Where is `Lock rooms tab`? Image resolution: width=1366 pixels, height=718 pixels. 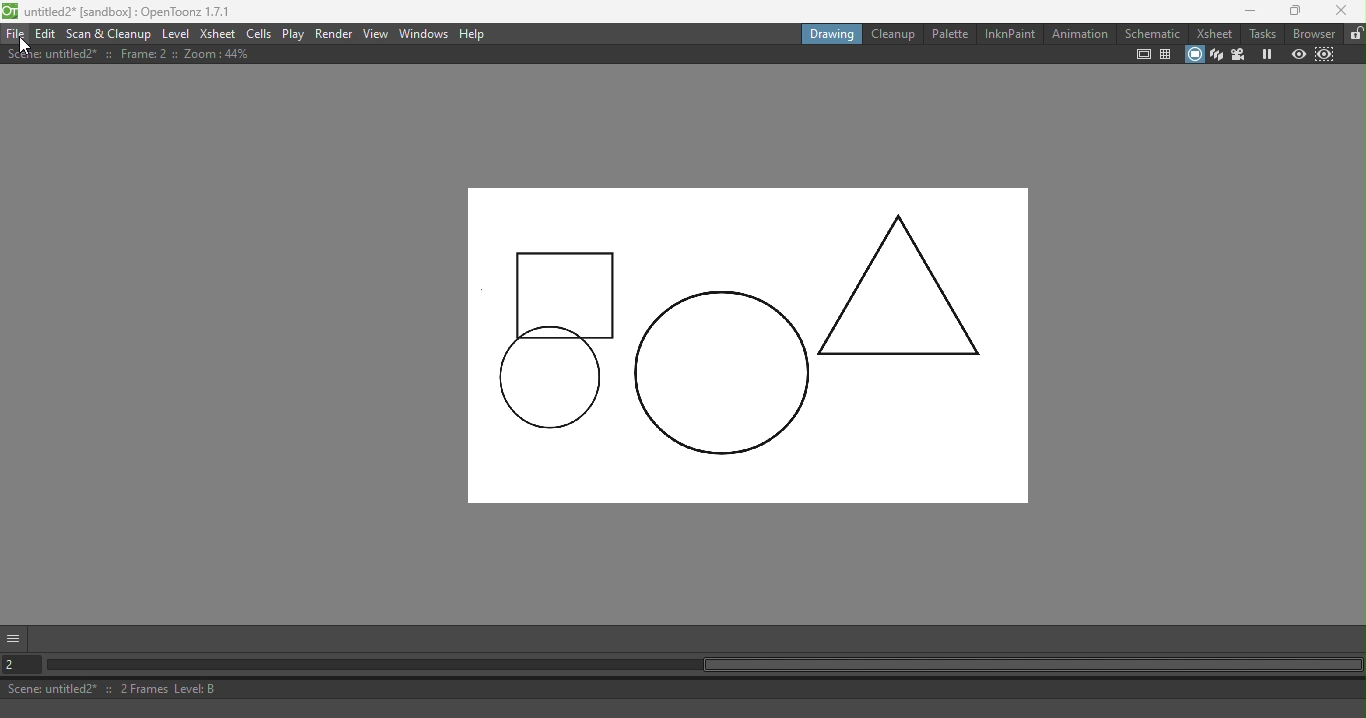
Lock rooms tab is located at coordinates (1354, 34).